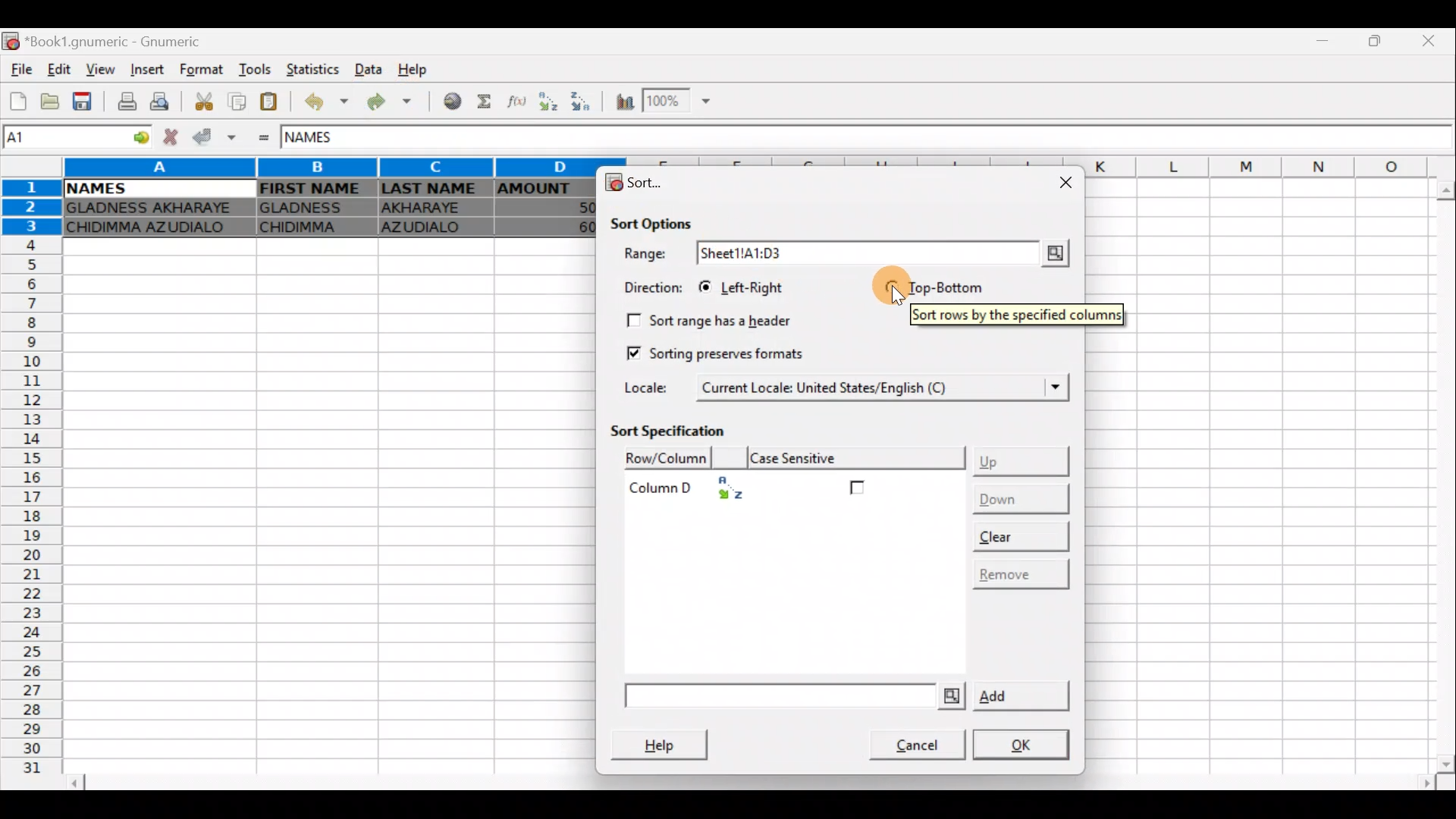  Describe the element at coordinates (827, 386) in the screenshot. I see `Current Locale: United States/English (C)` at that location.